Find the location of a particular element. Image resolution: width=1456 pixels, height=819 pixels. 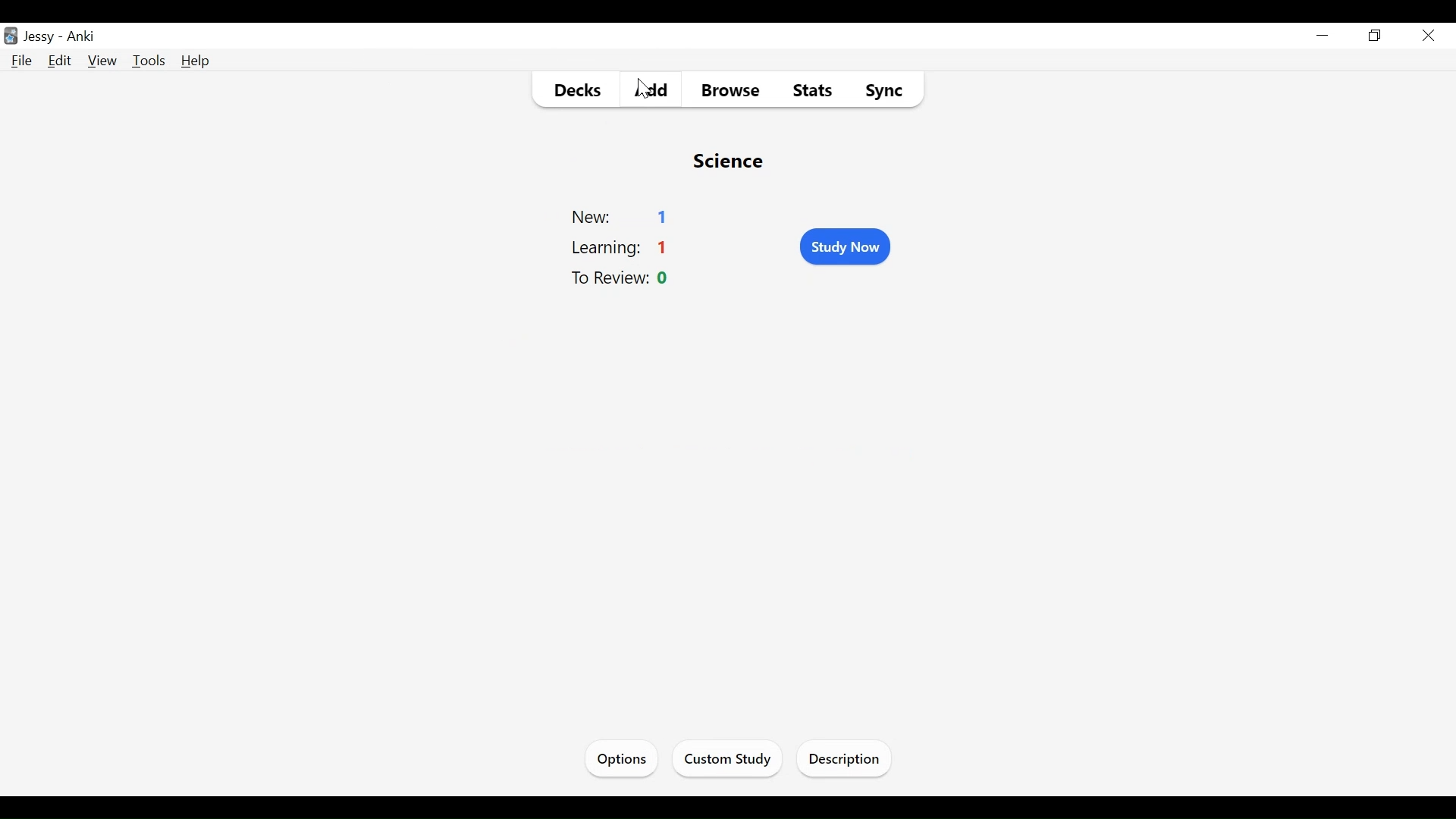

Study Now is located at coordinates (843, 246).